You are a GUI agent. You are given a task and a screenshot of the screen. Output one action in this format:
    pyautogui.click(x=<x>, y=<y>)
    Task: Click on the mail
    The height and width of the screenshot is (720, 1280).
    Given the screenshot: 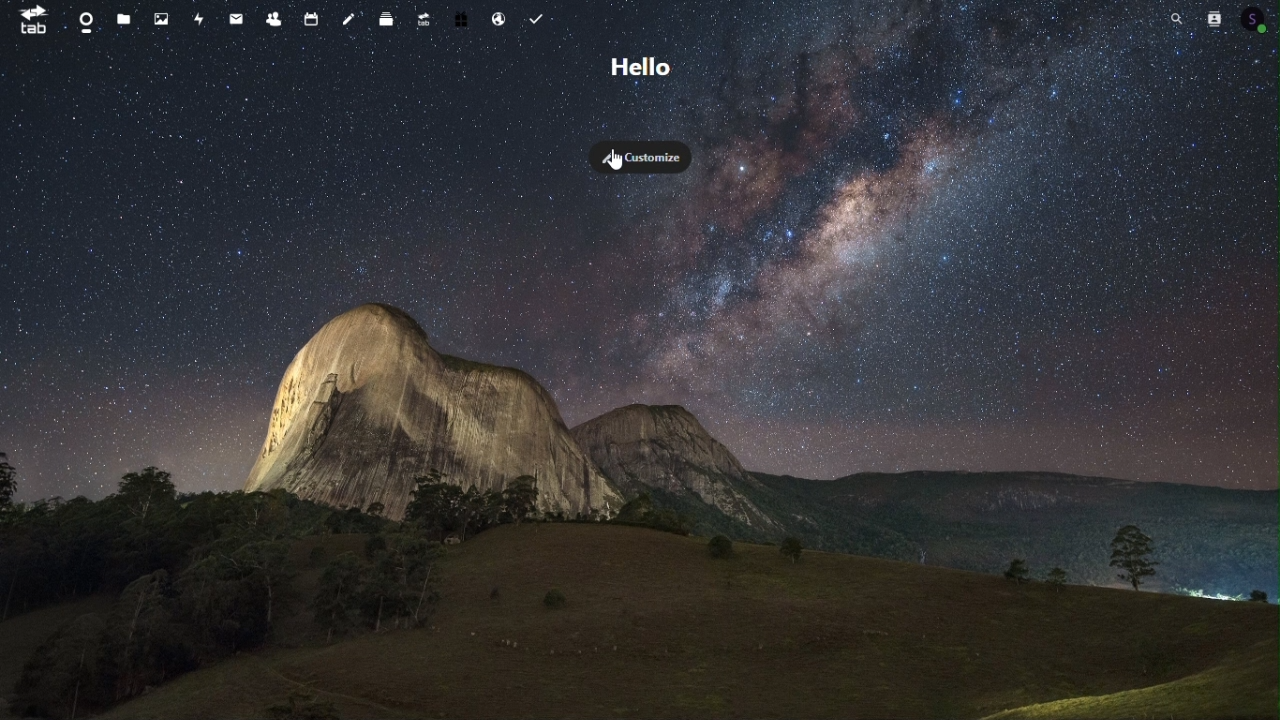 What is the action you would take?
    pyautogui.click(x=236, y=18)
    